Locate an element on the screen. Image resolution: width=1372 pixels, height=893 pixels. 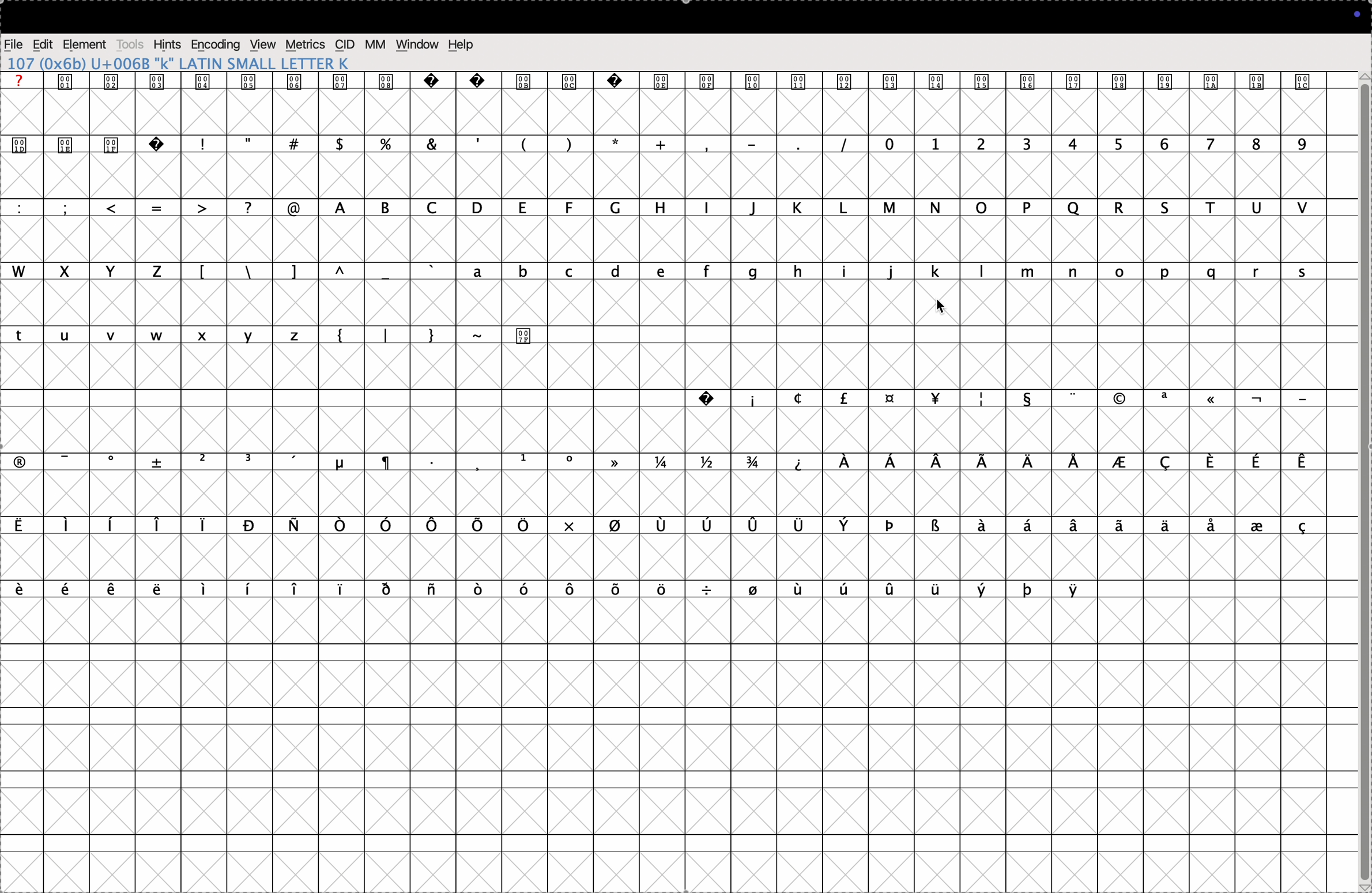
symbol list is located at coordinates (752, 526).